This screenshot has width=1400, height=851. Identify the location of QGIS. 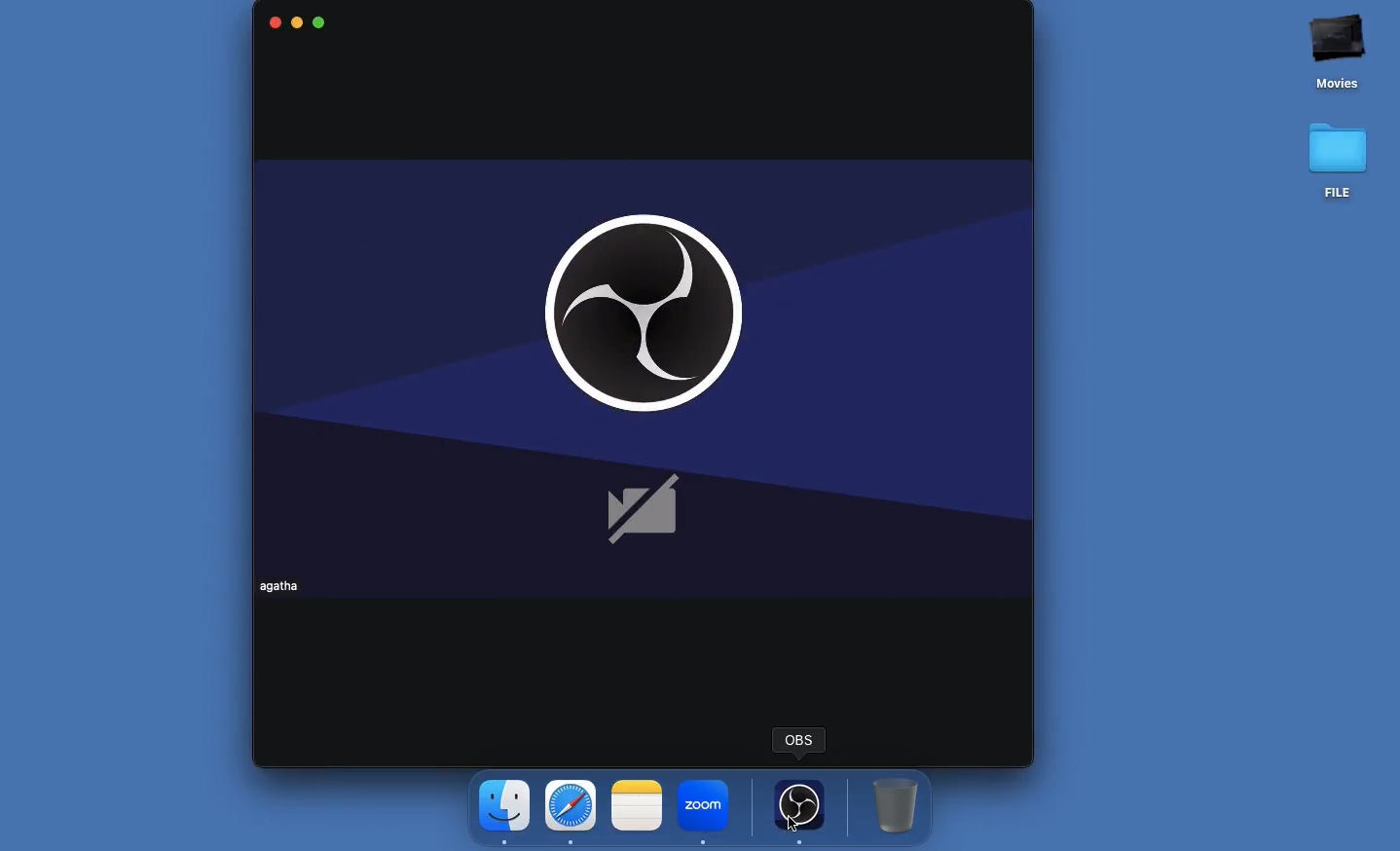
(799, 740).